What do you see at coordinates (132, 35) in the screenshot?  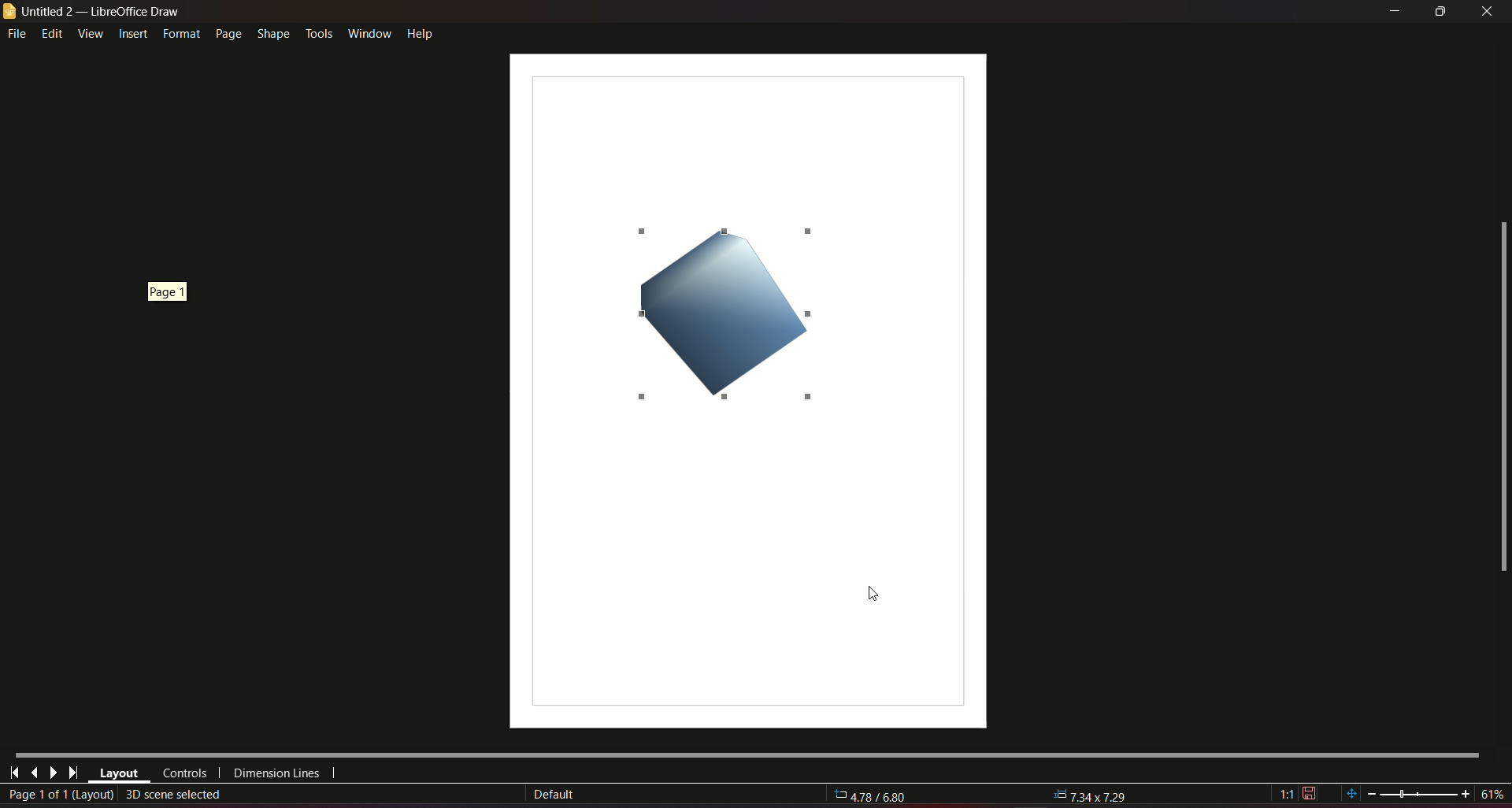 I see `insert` at bounding box center [132, 35].